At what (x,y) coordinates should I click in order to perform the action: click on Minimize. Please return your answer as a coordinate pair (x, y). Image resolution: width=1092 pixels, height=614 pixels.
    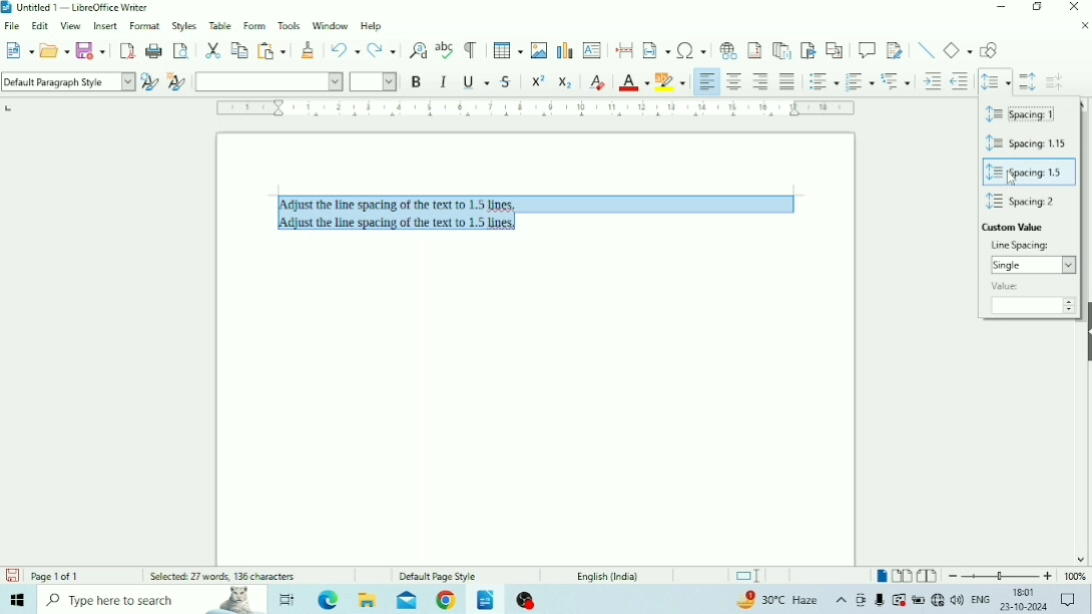
    Looking at the image, I should click on (1001, 7).